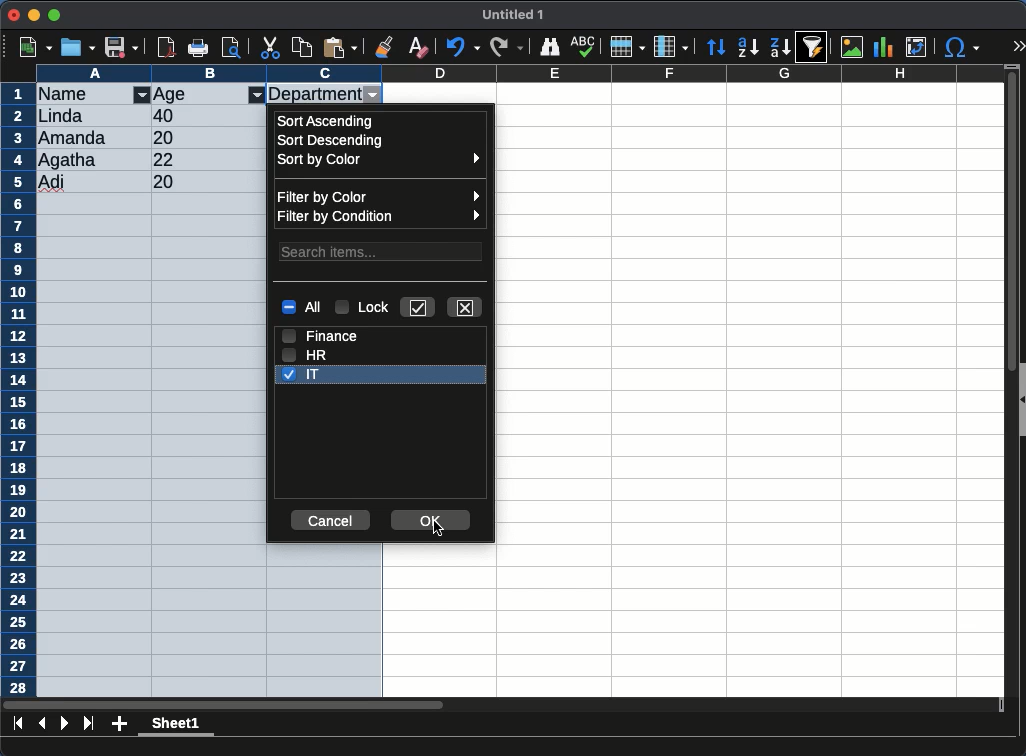 Image resolution: width=1026 pixels, height=756 pixels. What do you see at coordinates (73, 93) in the screenshot?
I see `name` at bounding box center [73, 93].